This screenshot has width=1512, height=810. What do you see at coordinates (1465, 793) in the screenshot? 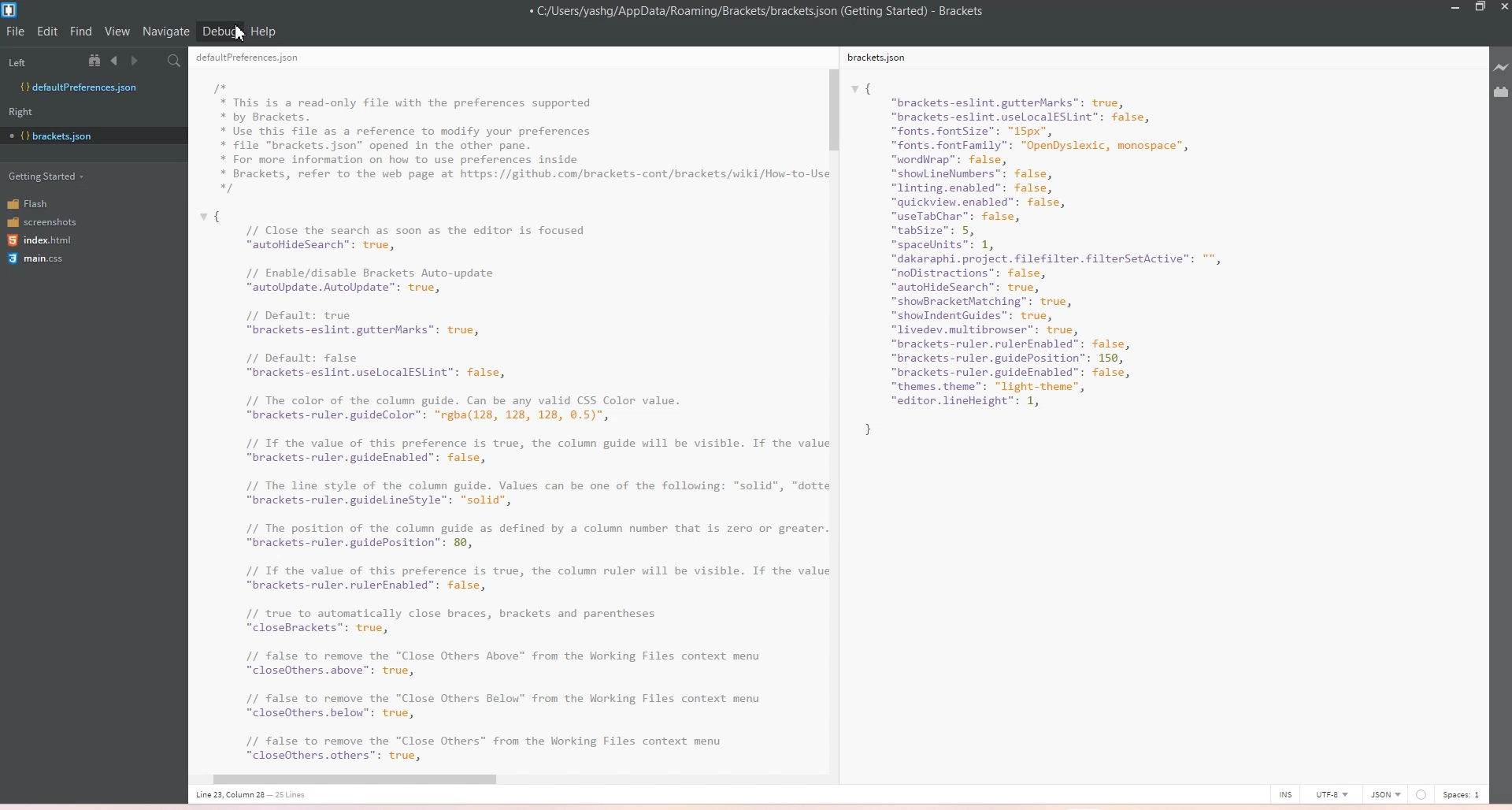
I see `Spaces` at bounding box center [1465, 793].